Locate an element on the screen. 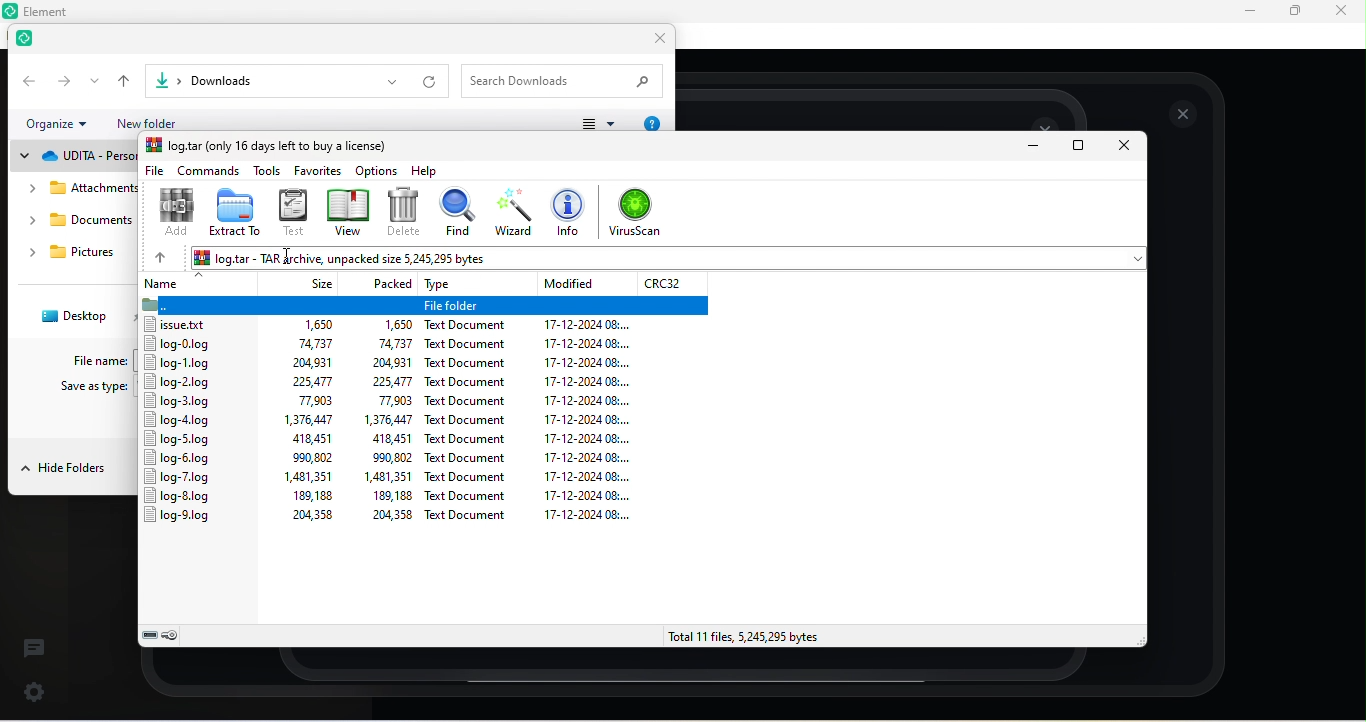  990,802 is located at coordinates (316, 457).